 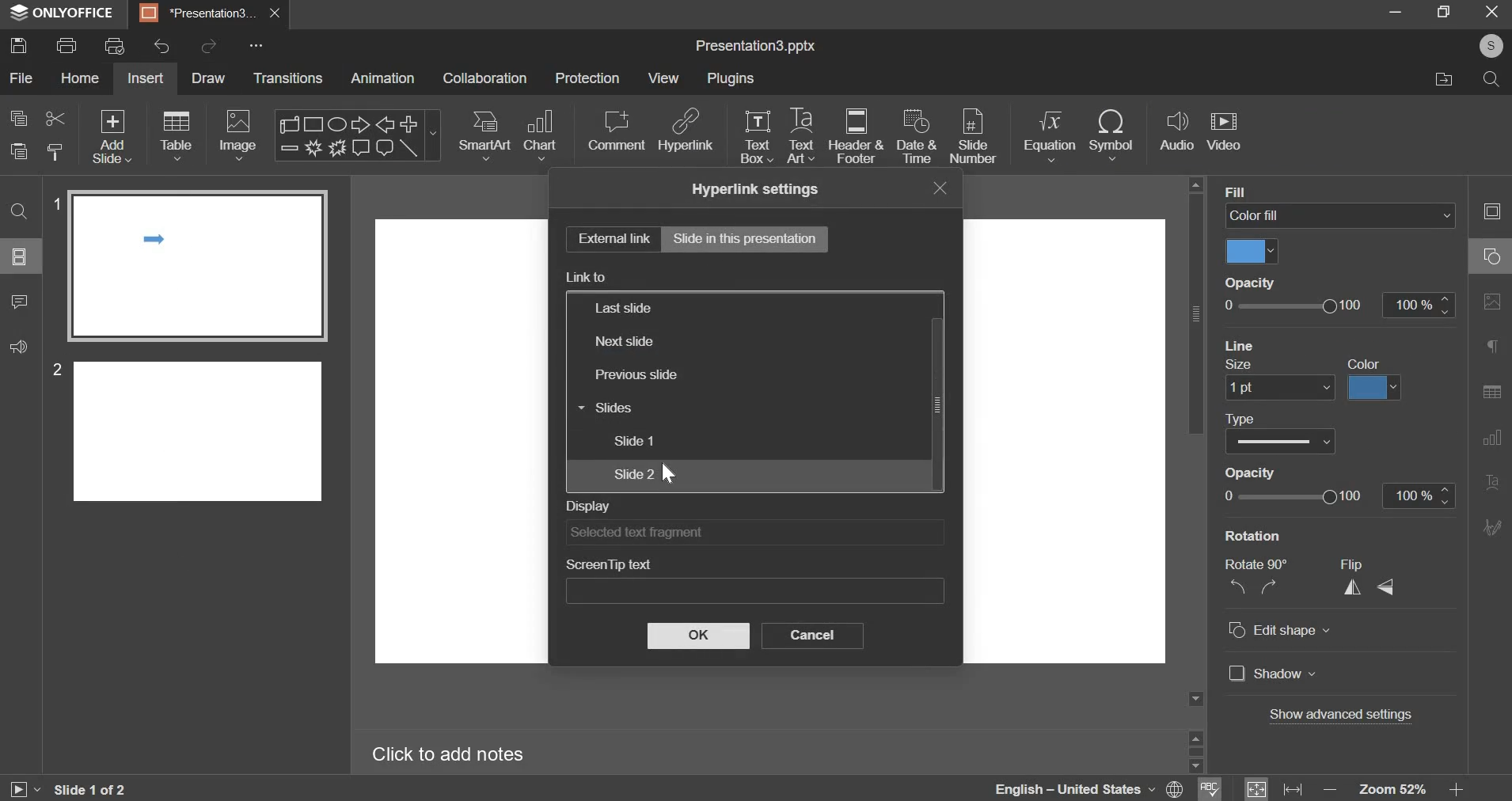 I want to click on edit shape, so click(x=1280, y=630).